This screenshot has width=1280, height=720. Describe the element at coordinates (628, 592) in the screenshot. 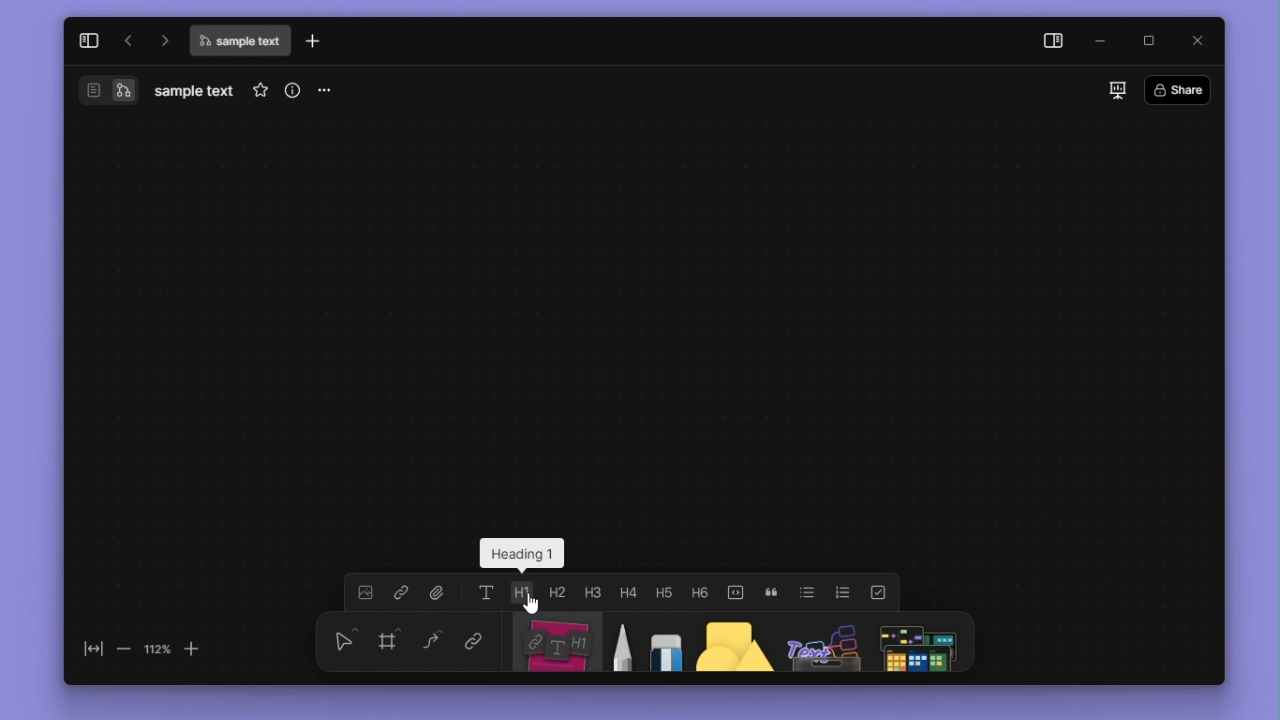

I see `Heading 4` at that location.